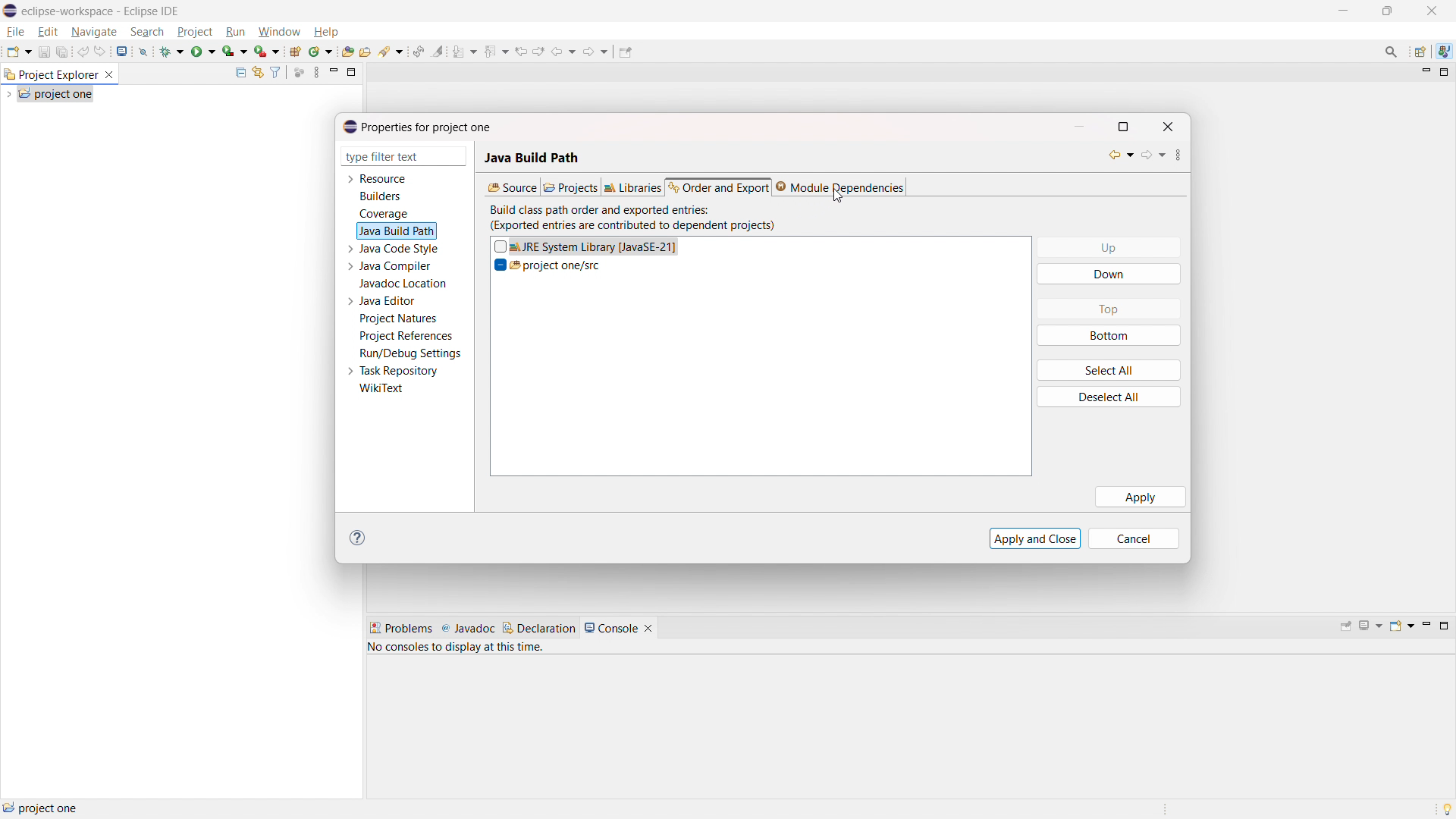 The width and height of the screenshot is (1456, 819). Describe the element at coordinates (539, 628) in the screenshot. I see `declaration` at that location.